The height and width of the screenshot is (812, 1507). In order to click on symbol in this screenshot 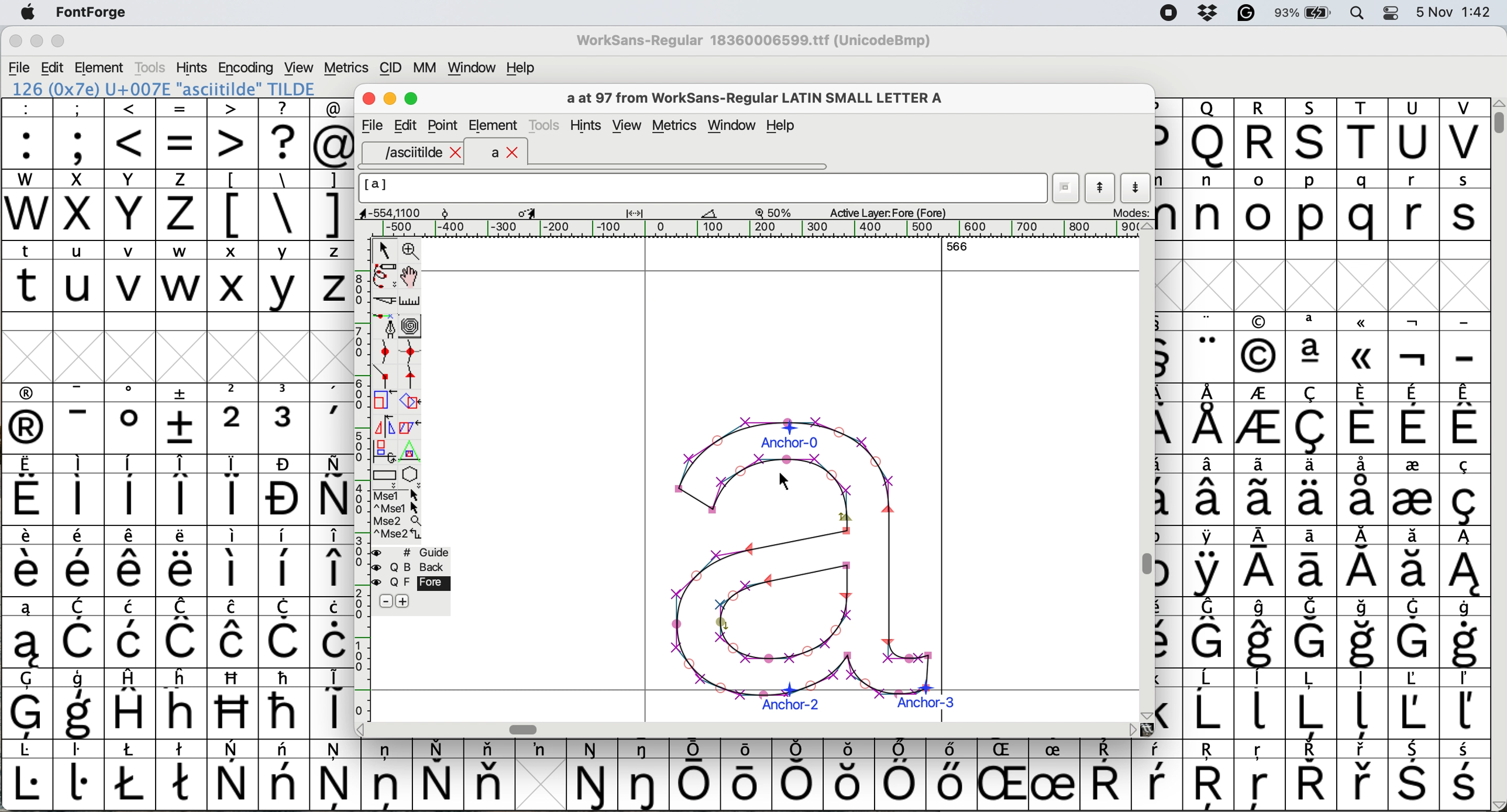, I will do `click(27, 776)`.